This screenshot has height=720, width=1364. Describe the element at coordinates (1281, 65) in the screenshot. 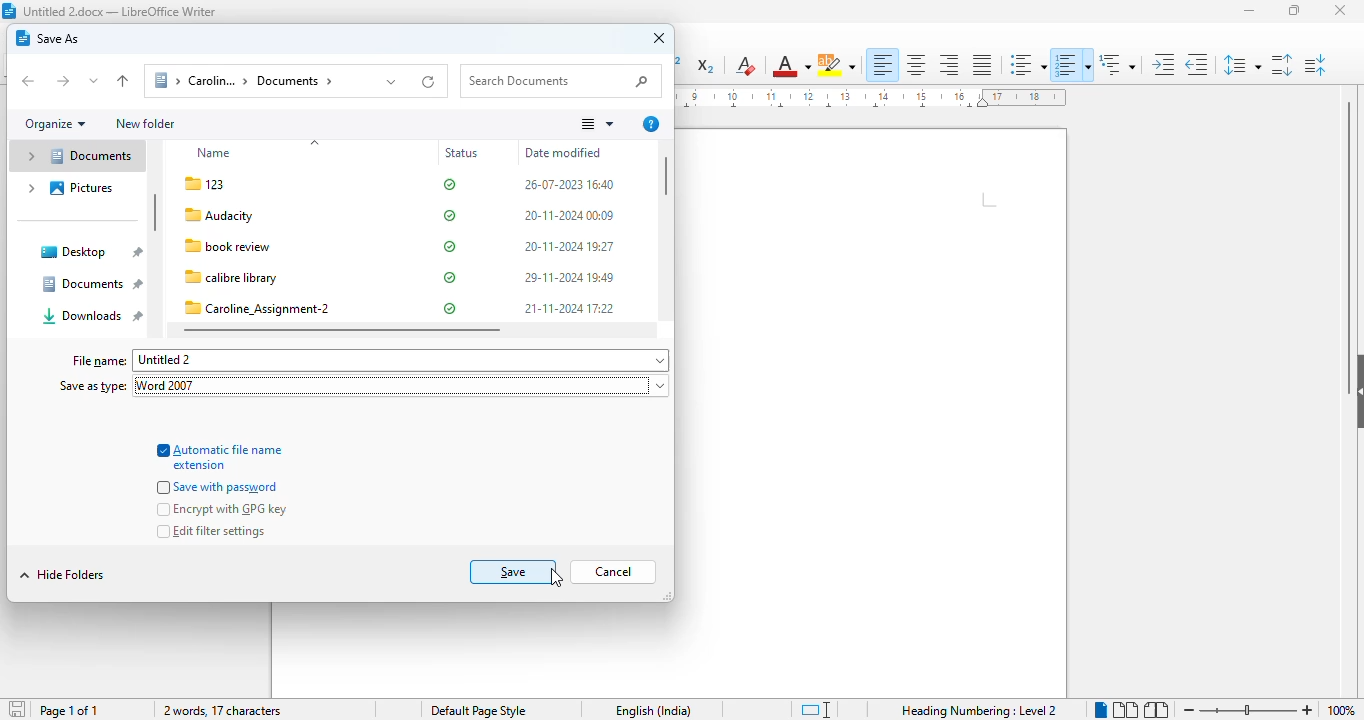

I see `increase paragraph spacing` at that location.